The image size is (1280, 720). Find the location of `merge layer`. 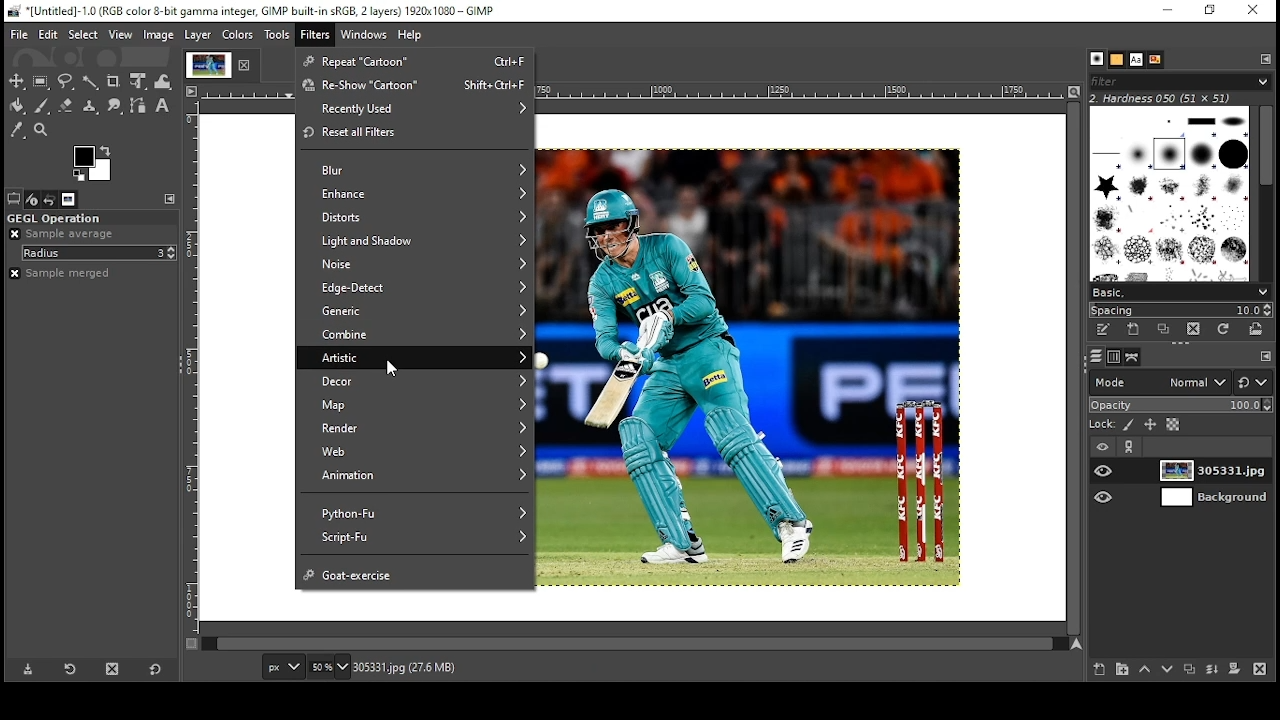

merge layer is located at coordinates (1213, 671).